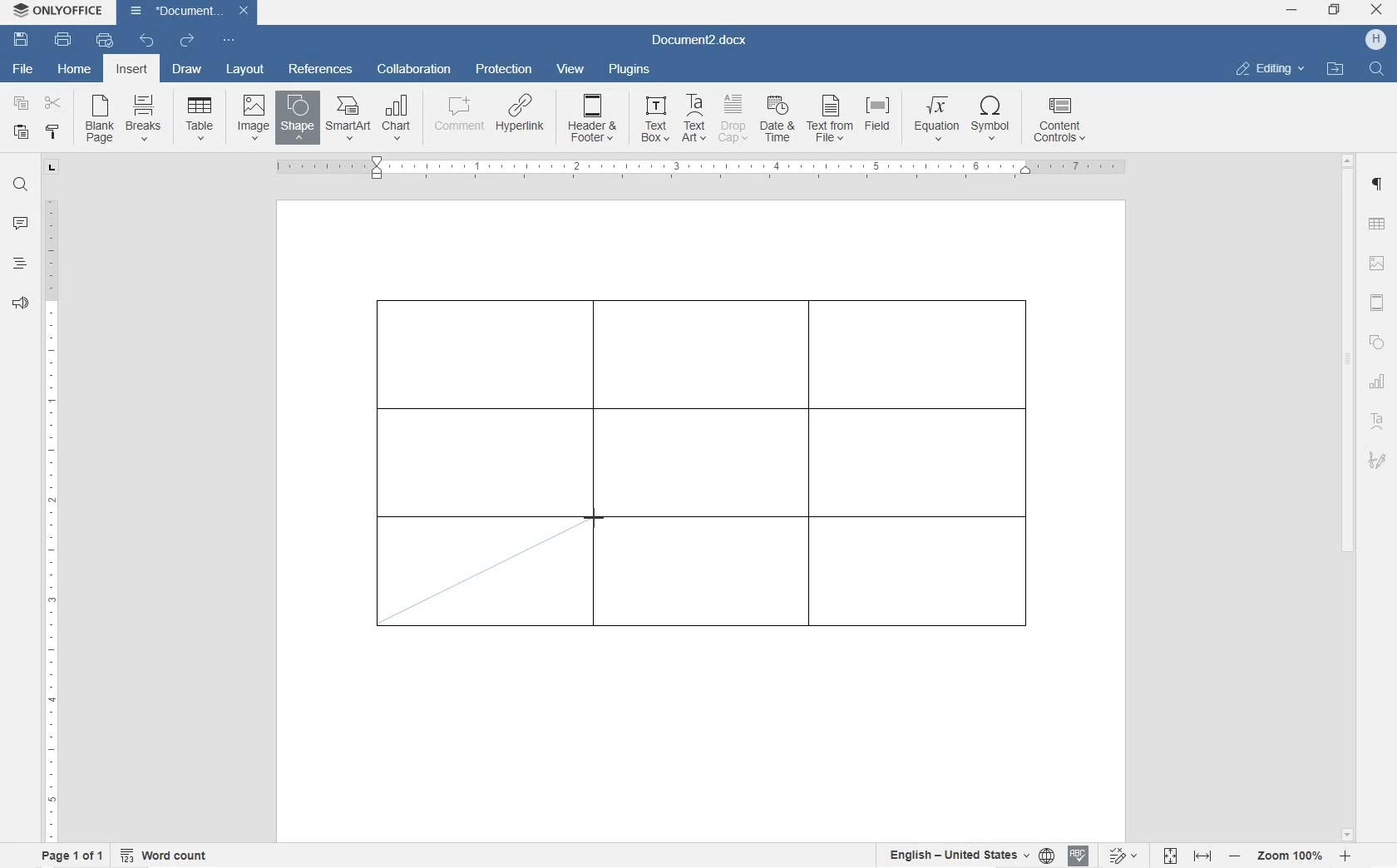  What do you see at coordinates (734, 121) in the screenshot?
I see `DROP CAP` at bounding box center [734, 121].